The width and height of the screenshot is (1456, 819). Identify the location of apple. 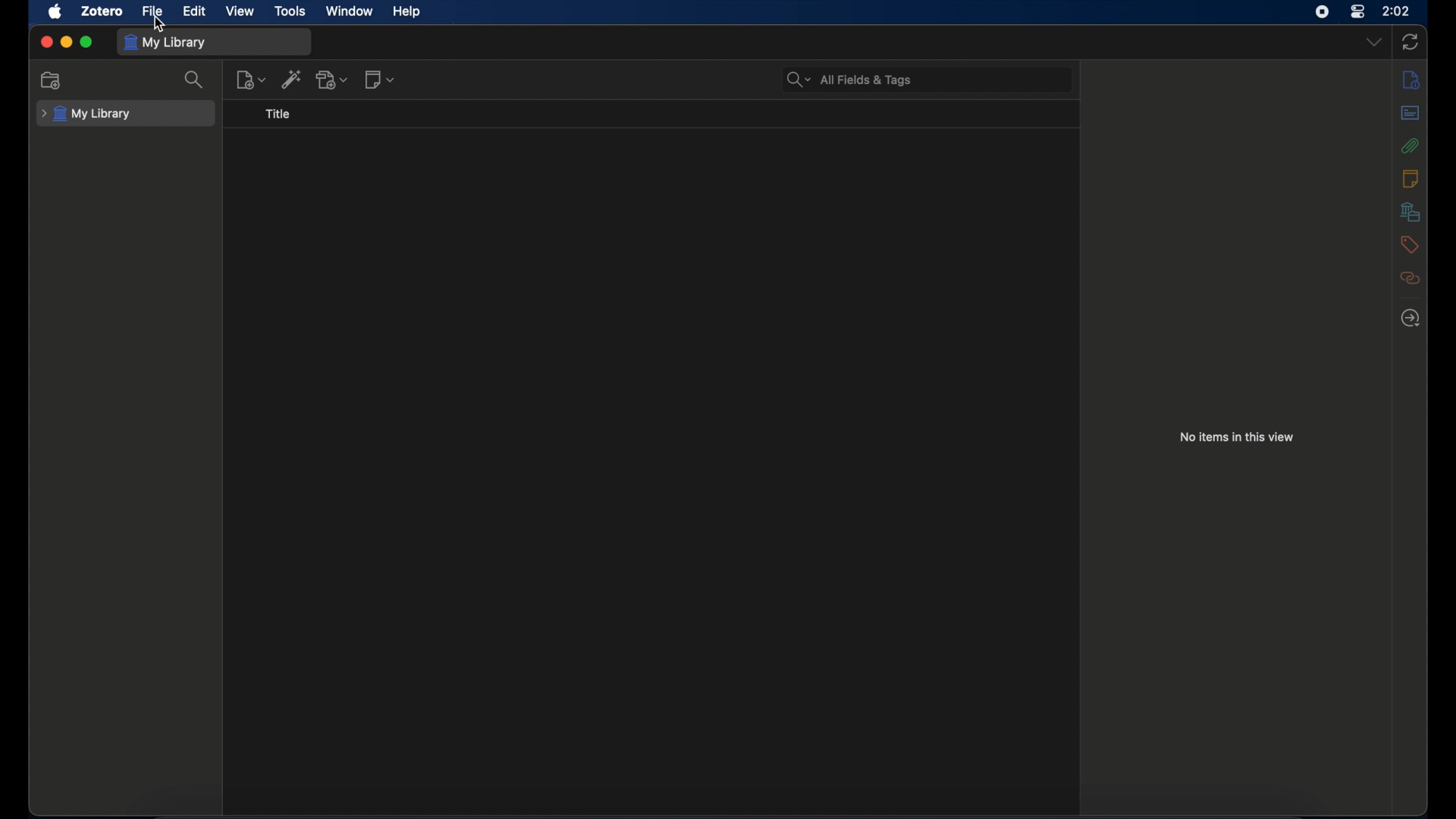
(55, 12).